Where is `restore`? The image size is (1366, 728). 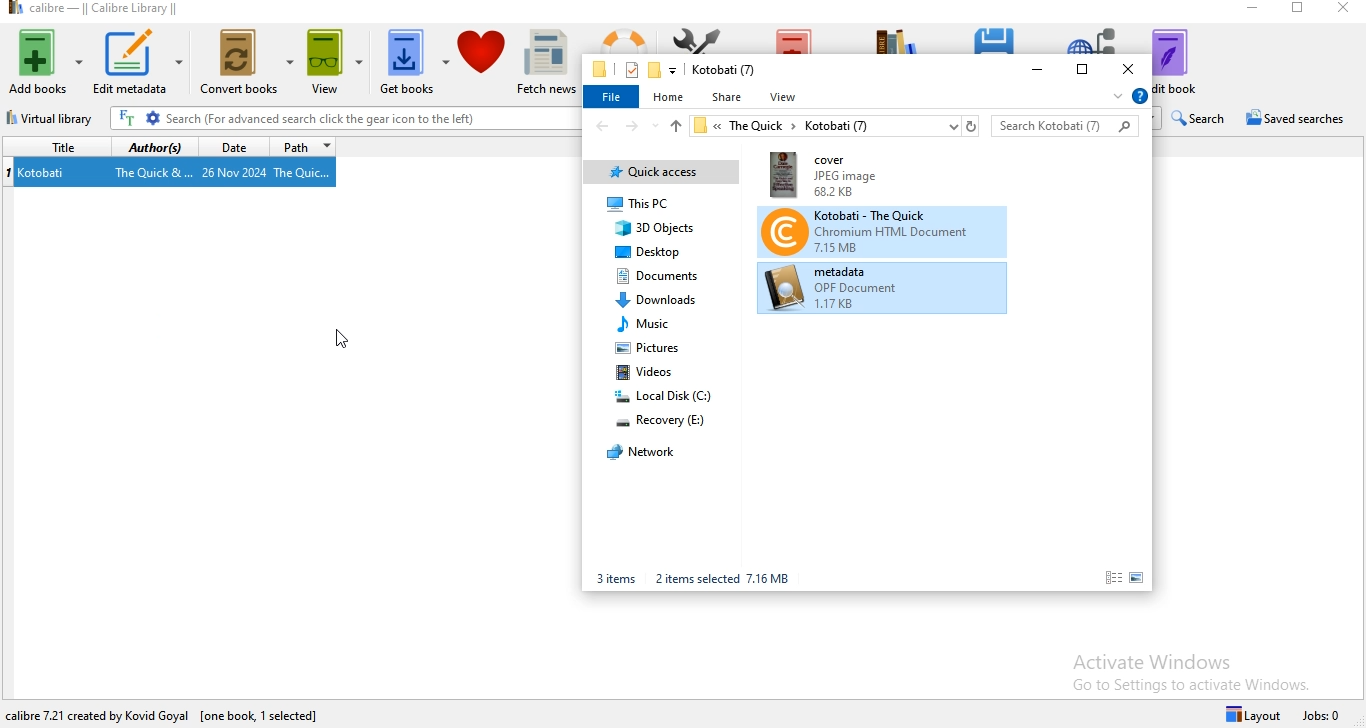 restore is located at coordinates (1300, 11).